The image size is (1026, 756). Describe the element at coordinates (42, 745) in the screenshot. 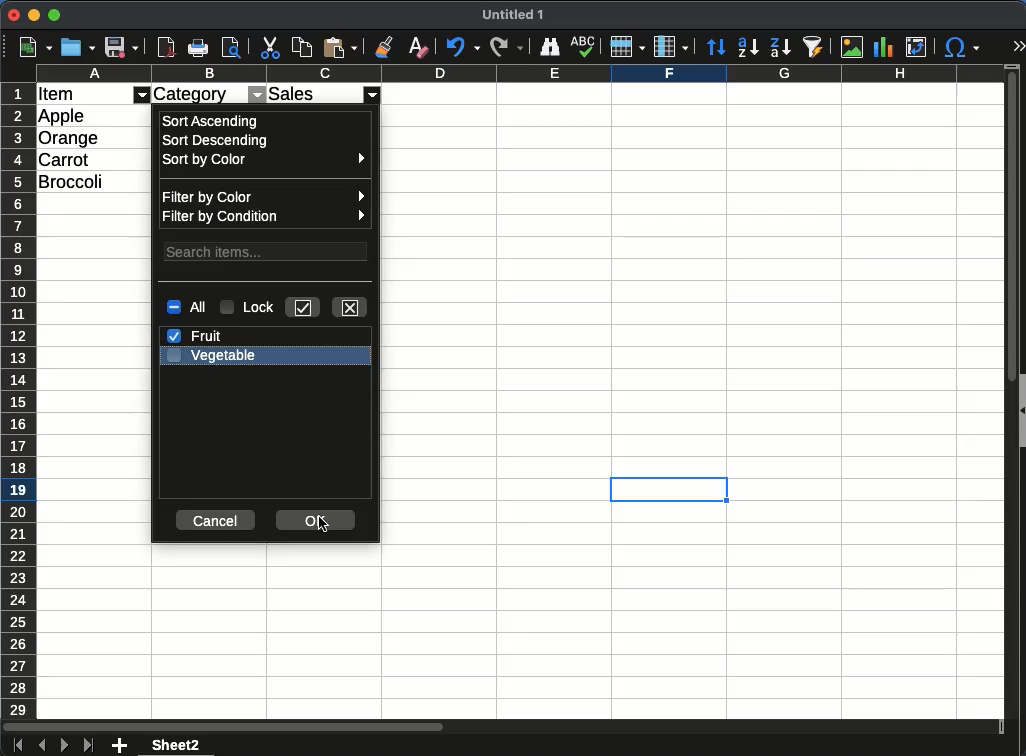

I see `previous sheet` at that location.